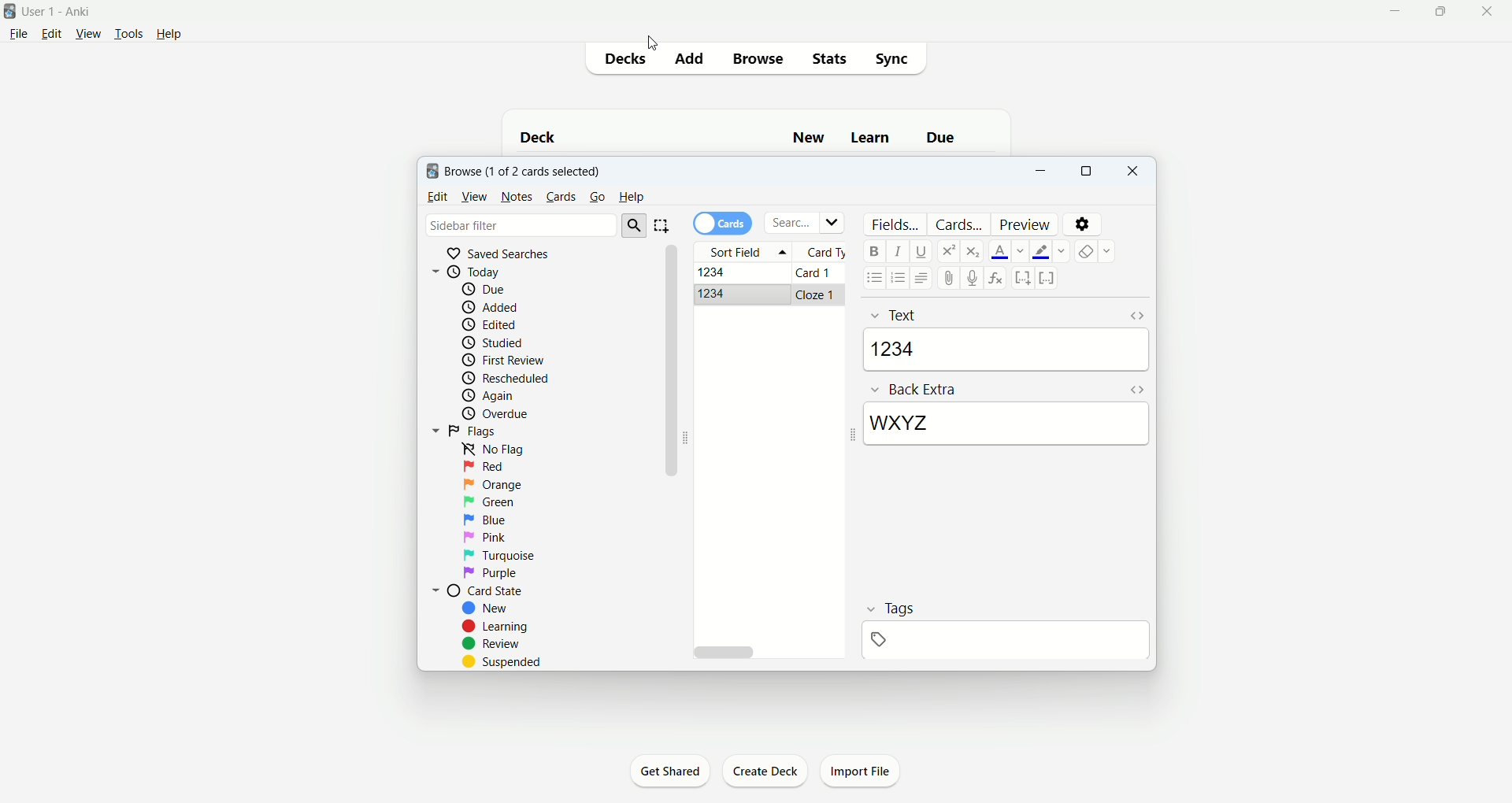 The image size is (1512, 803). Describe the element at coordinates (504, 361) in the screenshot. I see `first review` at that location.